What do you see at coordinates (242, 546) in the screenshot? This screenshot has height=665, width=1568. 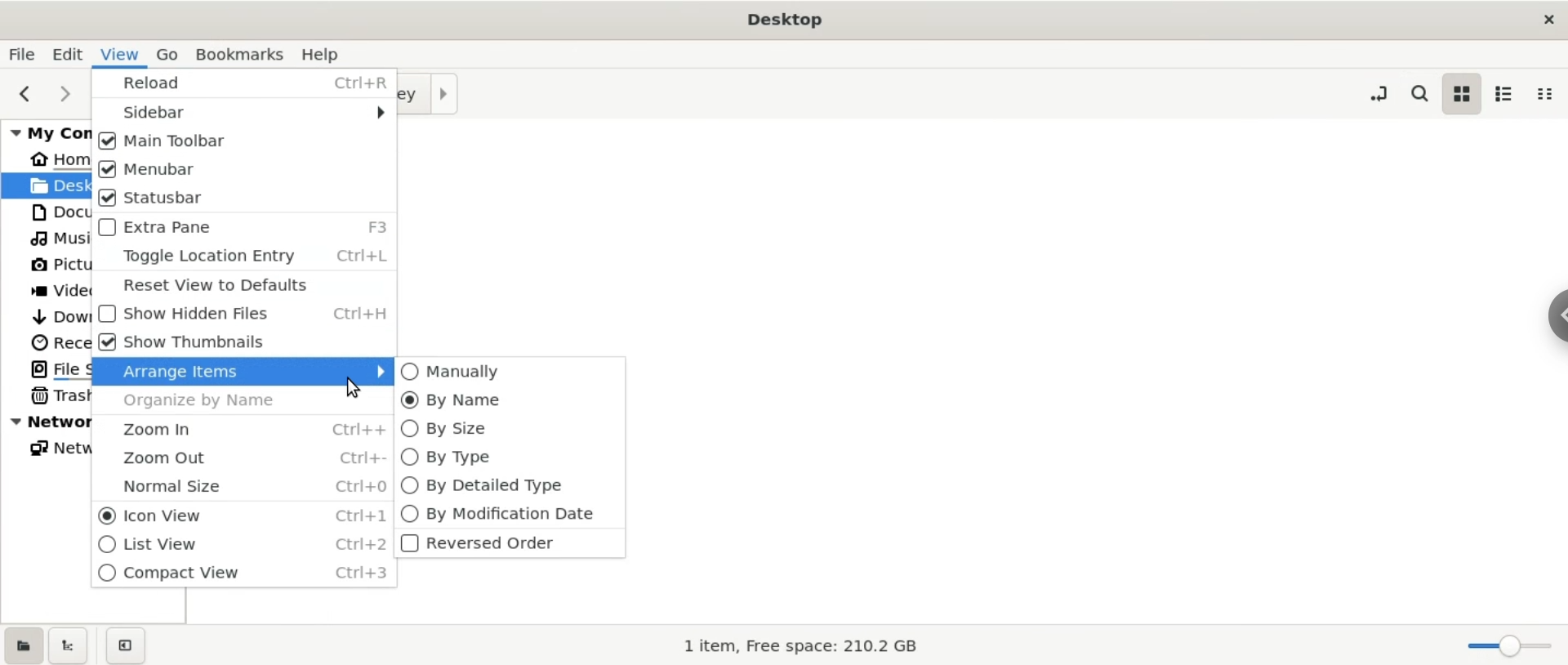 I see `list view` at bounding box center [242, 546].